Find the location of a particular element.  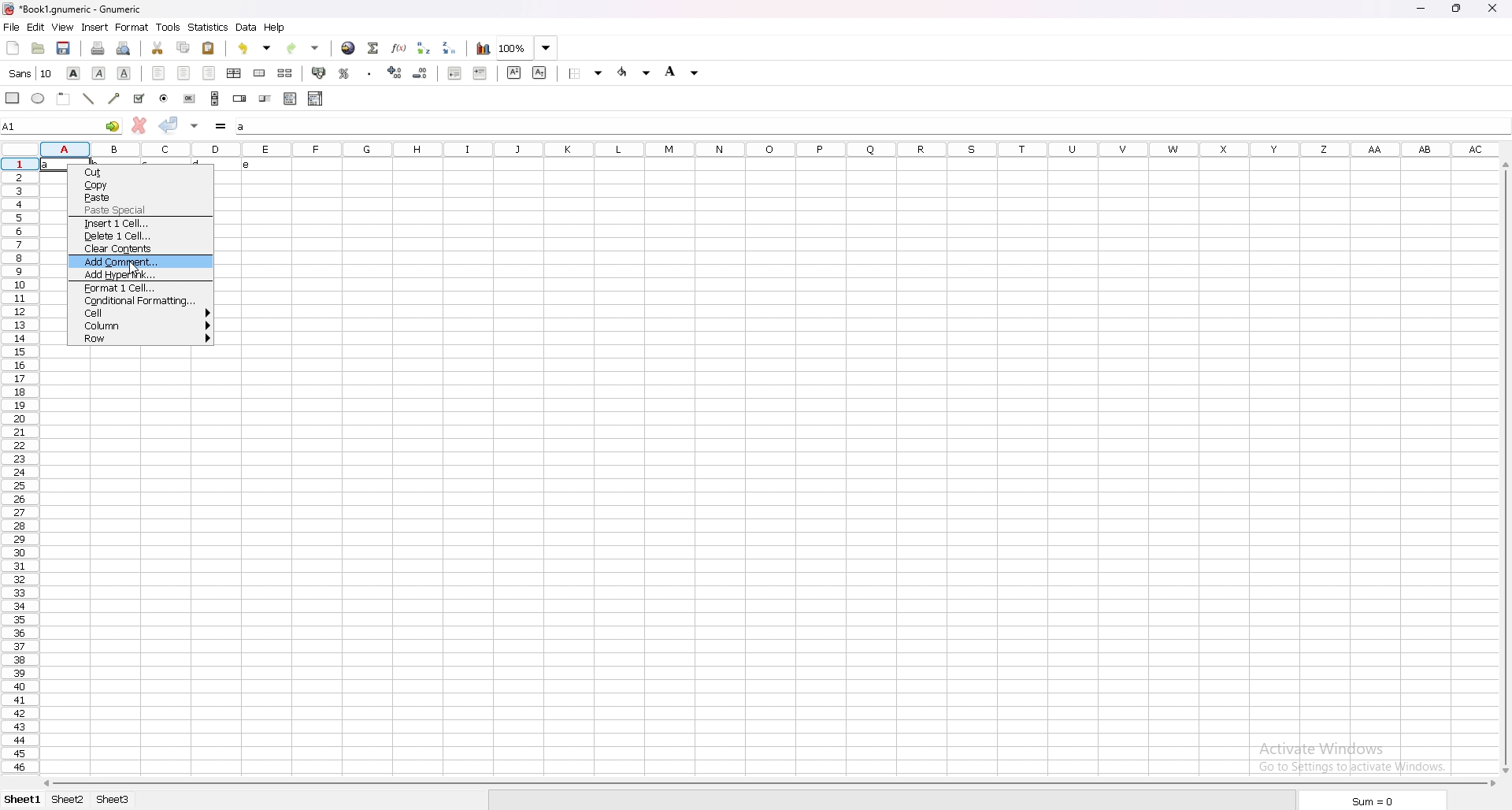

increase indent is located at coordinates (480, 73).